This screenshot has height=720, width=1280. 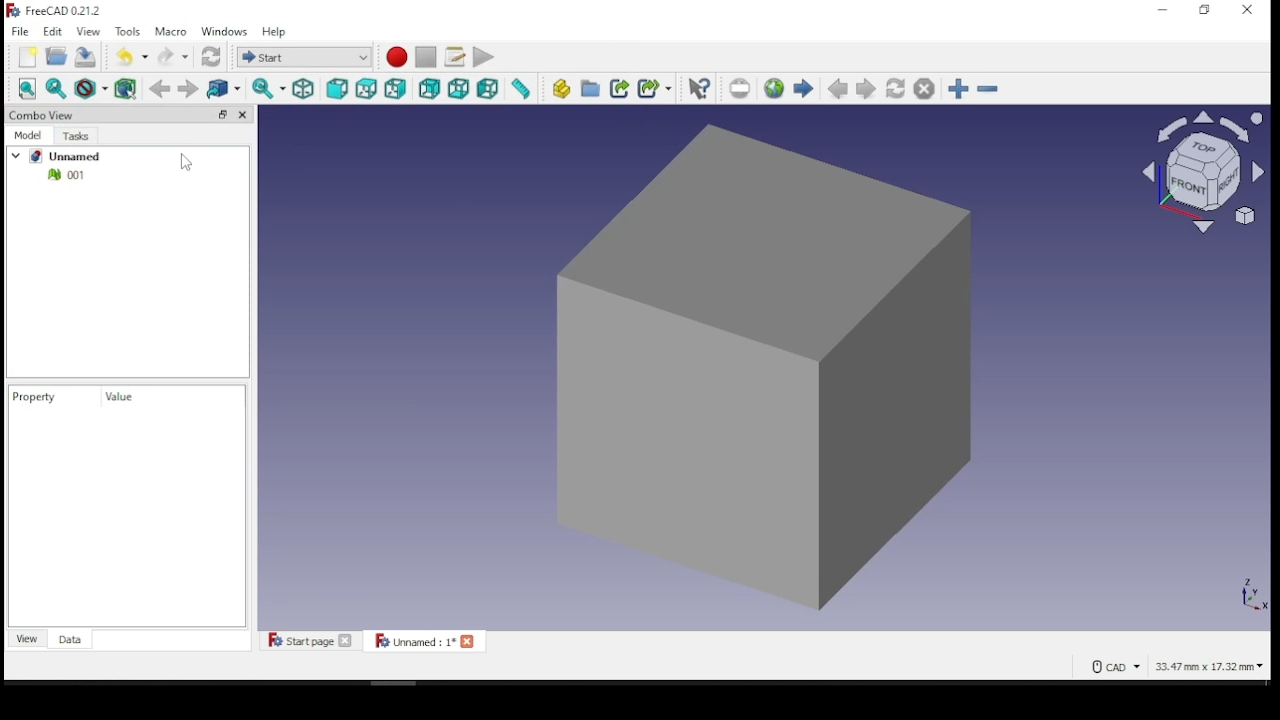 What do you see at coordinates (894, 87) in the screenshot?
I see `refresh web page` at bounding box center [894, 87].